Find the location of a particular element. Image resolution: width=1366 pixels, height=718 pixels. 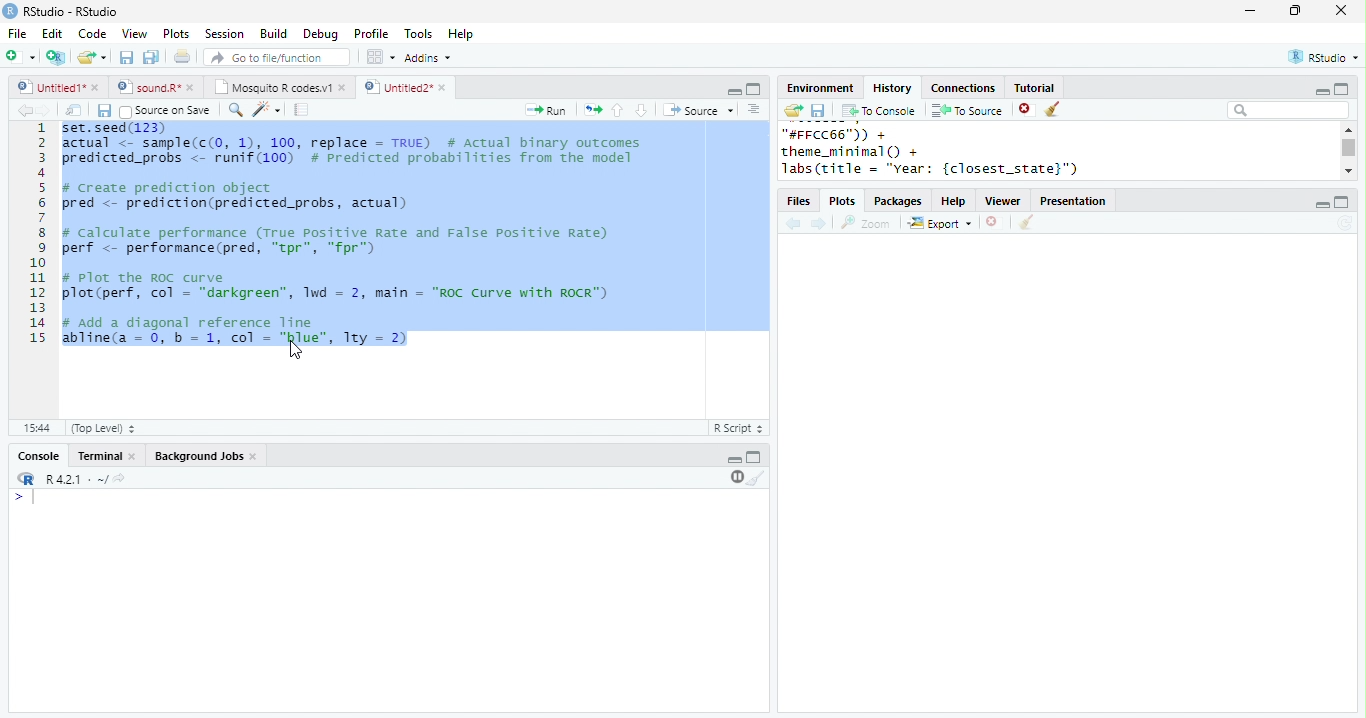

R 4.2.1 .~/ is located at coordinates (73, 480).